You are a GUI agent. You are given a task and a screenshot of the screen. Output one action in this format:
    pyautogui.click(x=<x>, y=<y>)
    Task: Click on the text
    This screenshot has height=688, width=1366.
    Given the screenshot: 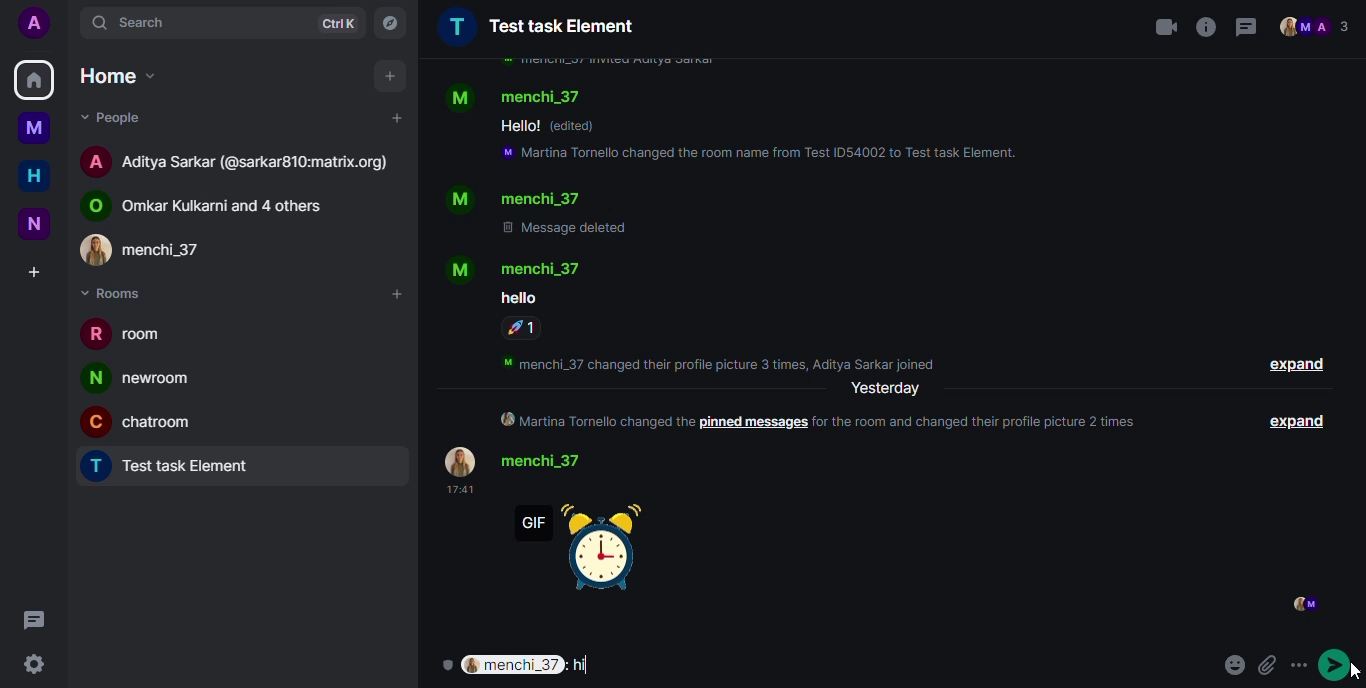 What is the action you would take?
    pyautogui.click(x=519, y=126)
    